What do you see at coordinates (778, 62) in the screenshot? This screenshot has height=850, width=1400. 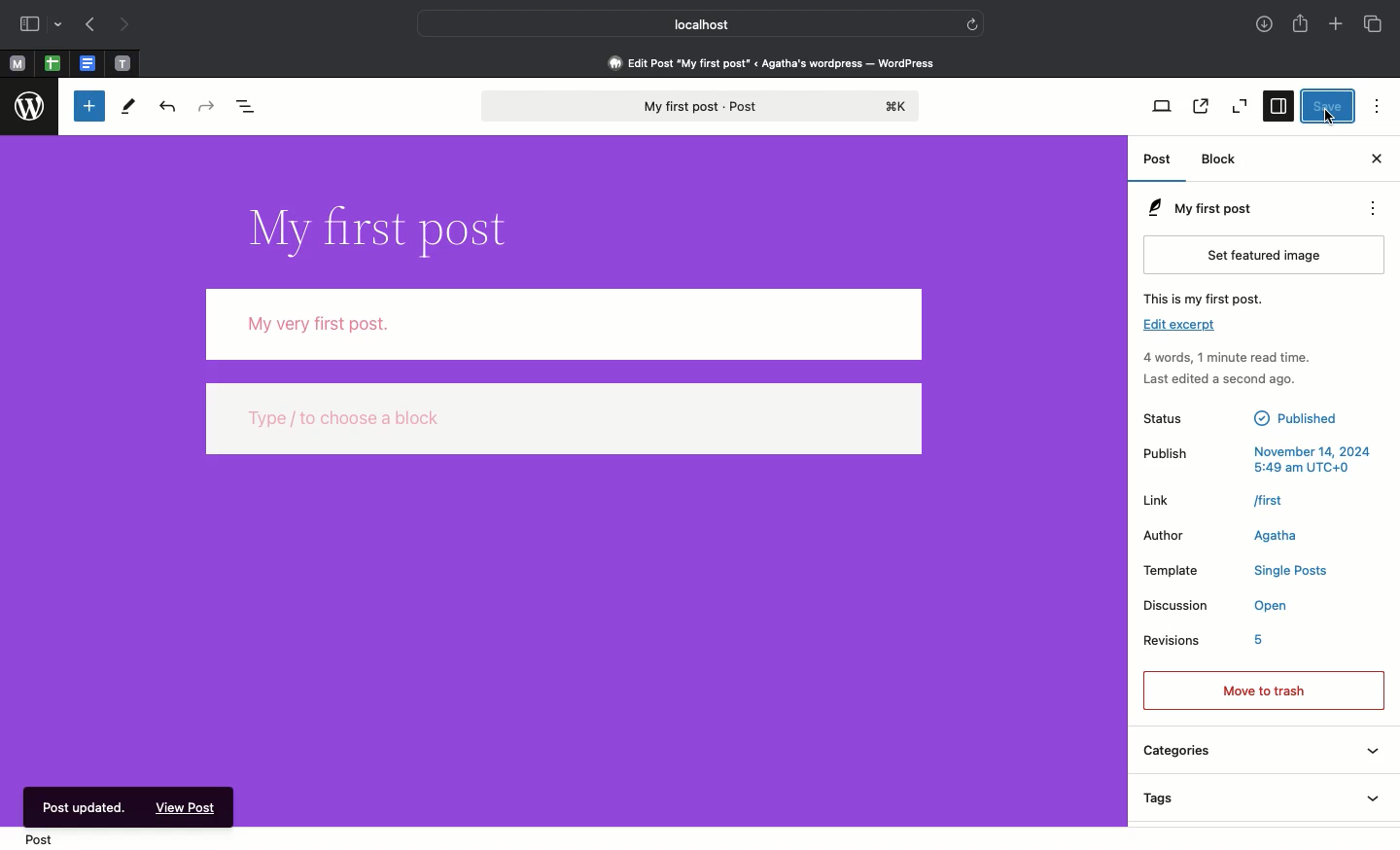 I see `Edit Post "My first post” « Agatha's wordpress — WordPress` at bounding box center [778, 62].